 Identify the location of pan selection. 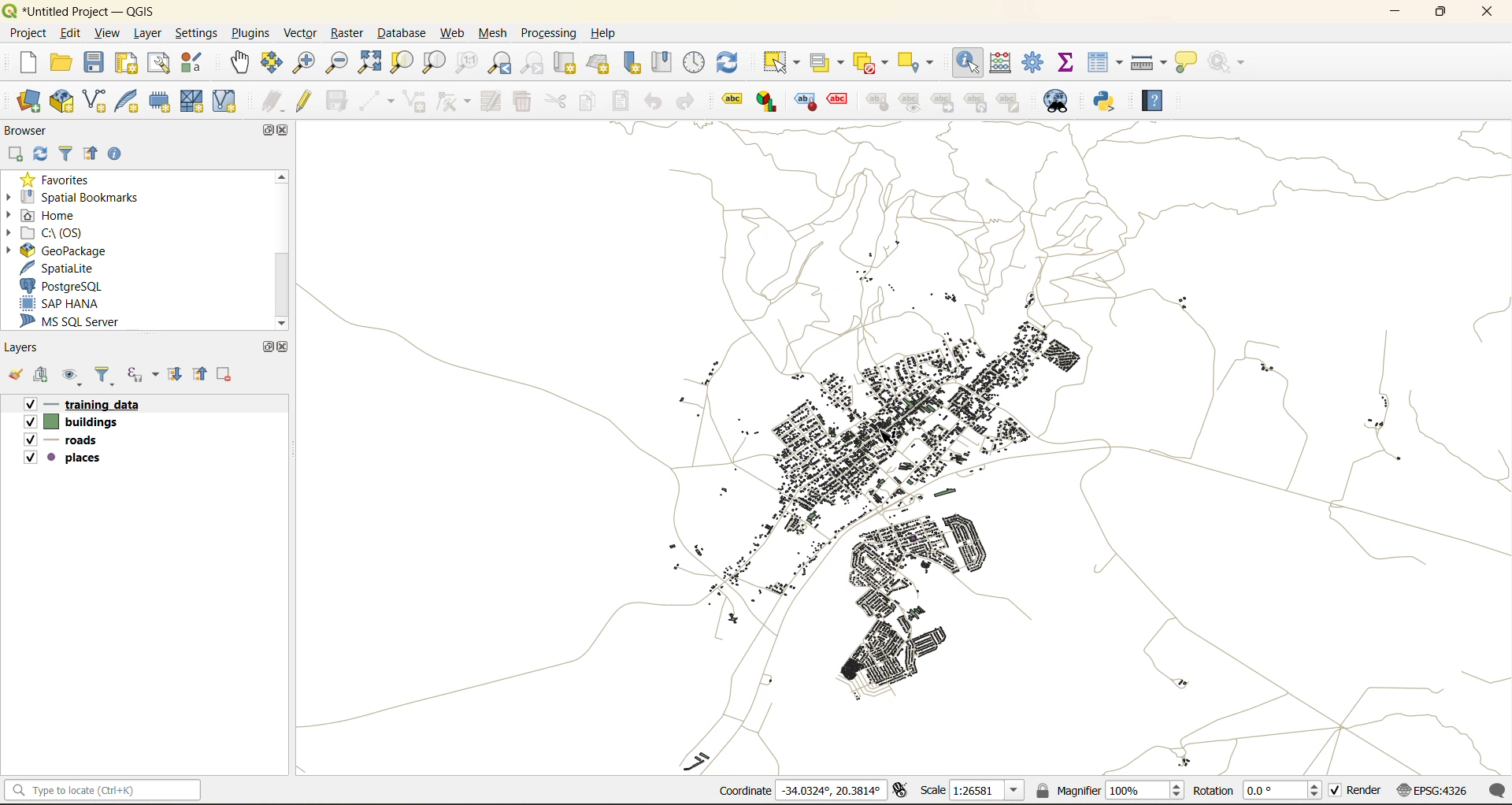
(272, 63).